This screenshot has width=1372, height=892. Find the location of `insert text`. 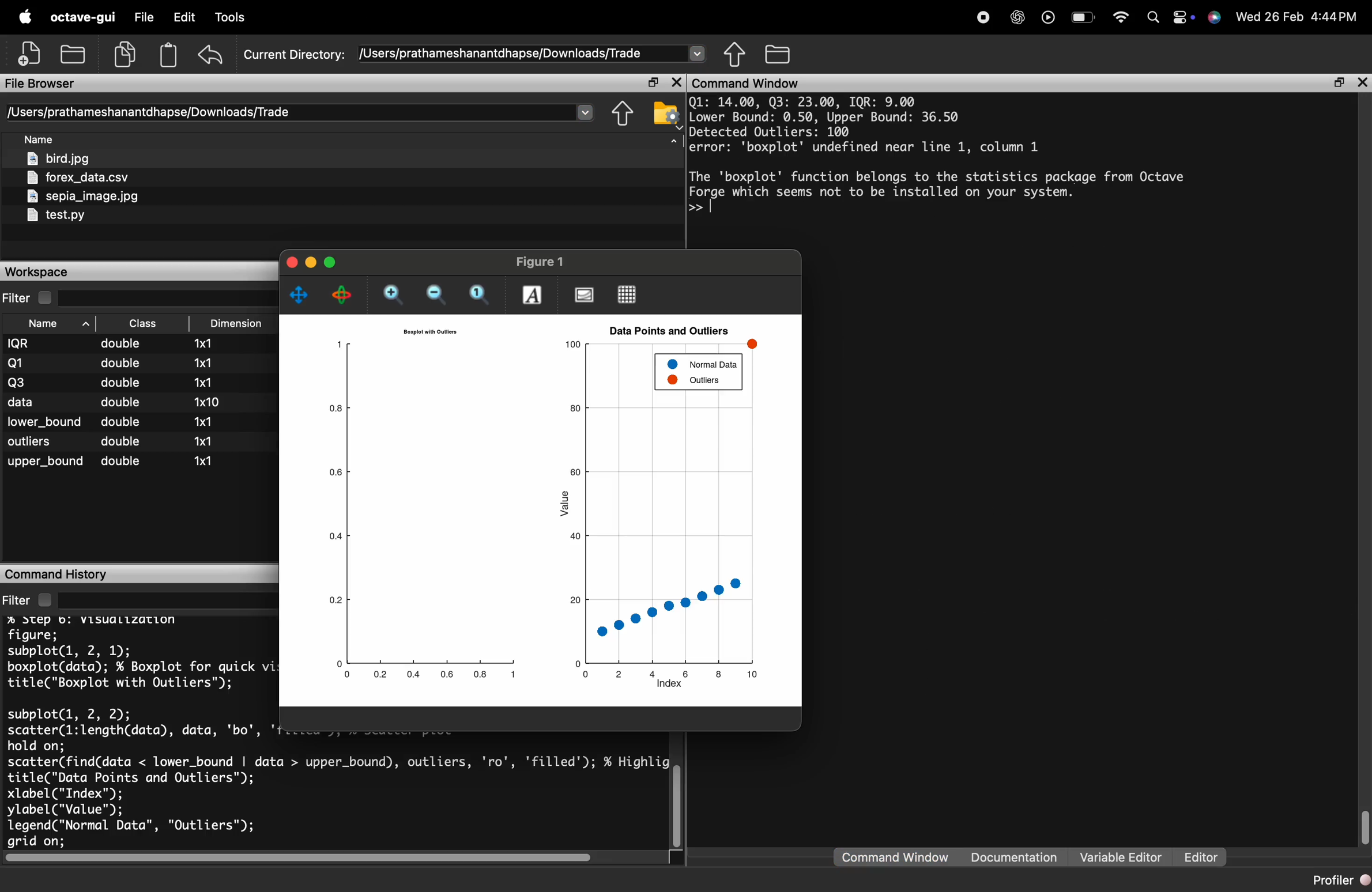

insert text is located at coordinates (532, 294).